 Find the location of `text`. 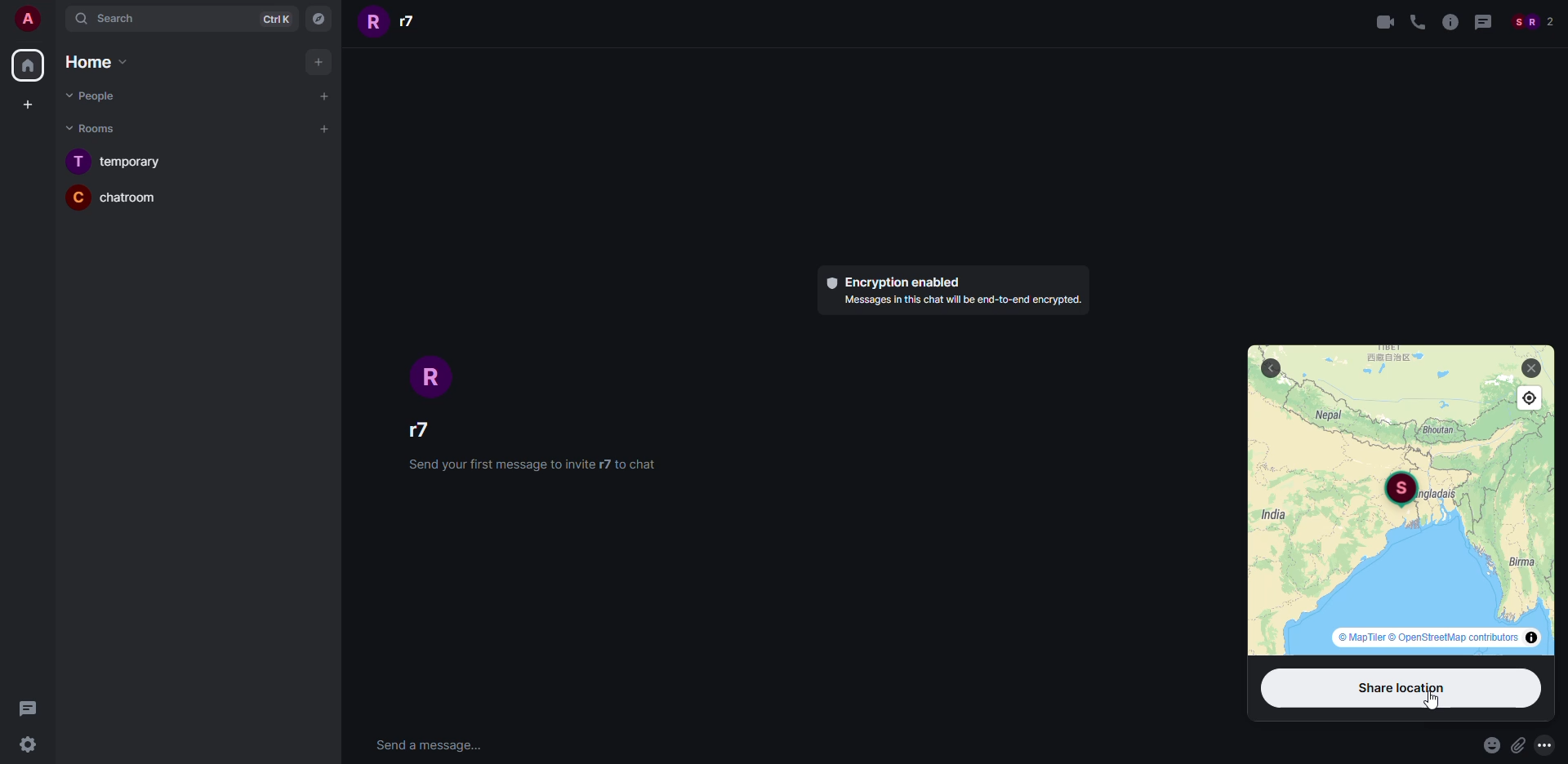

text is located at coordinates (960, 301).